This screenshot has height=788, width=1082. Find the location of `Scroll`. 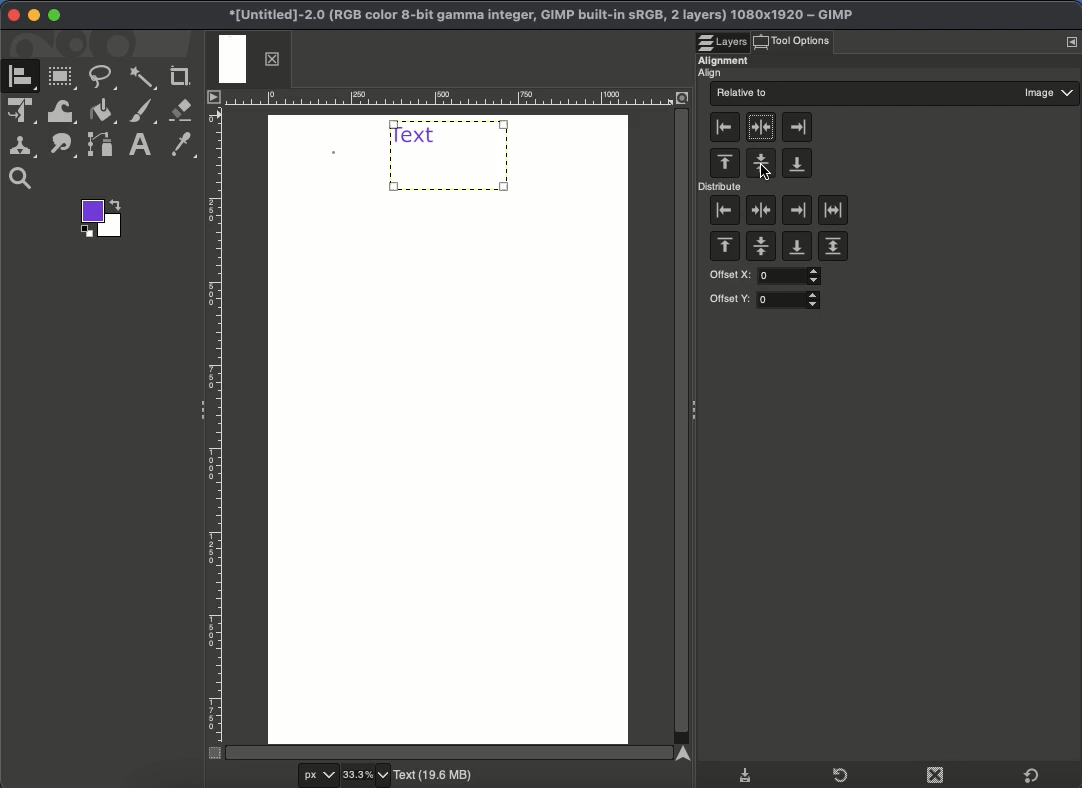

Scroll is located at coordinates (453, 751).